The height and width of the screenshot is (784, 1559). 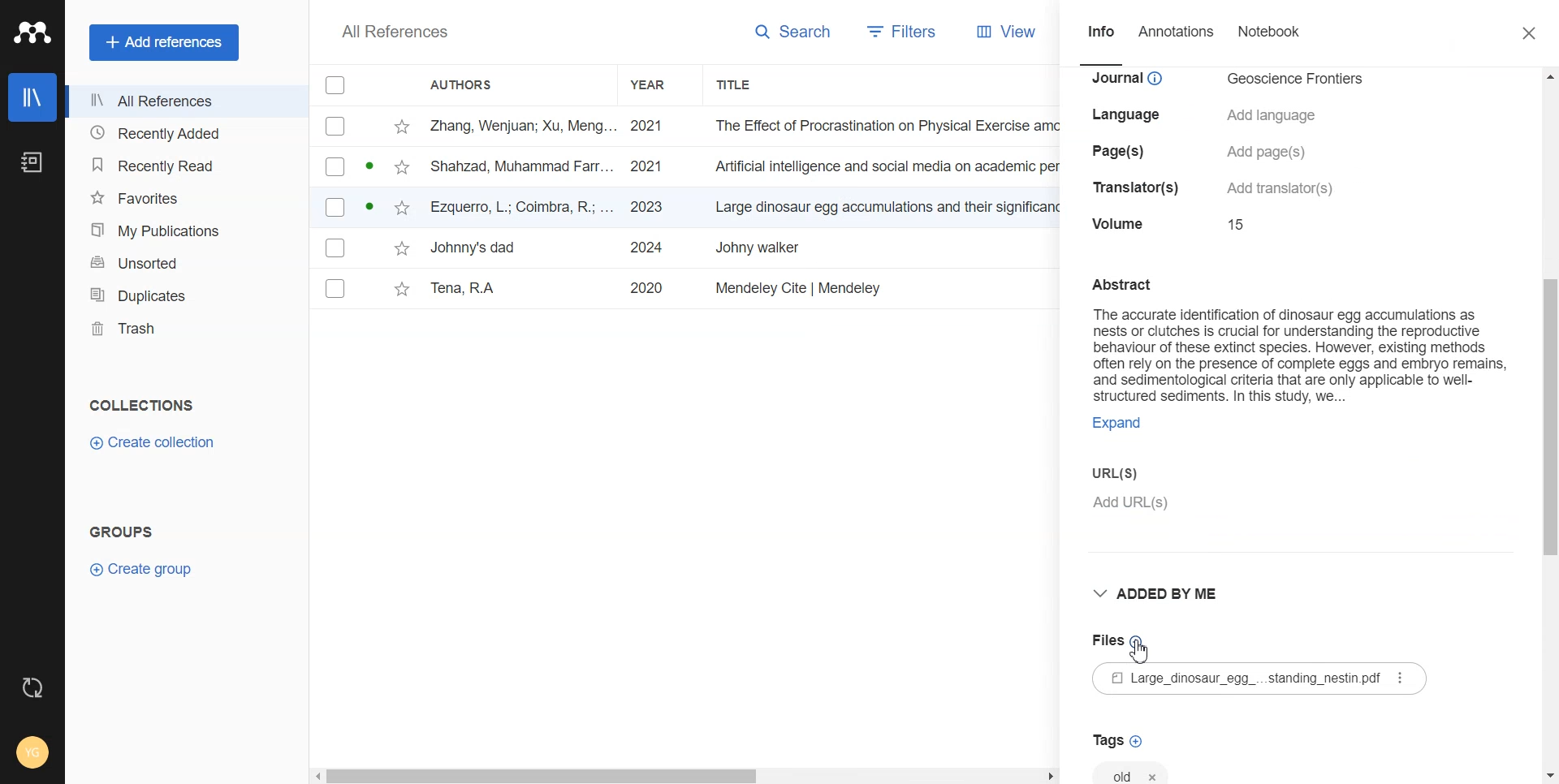 I want to click on Checkbox, so click(x=336, y=288).